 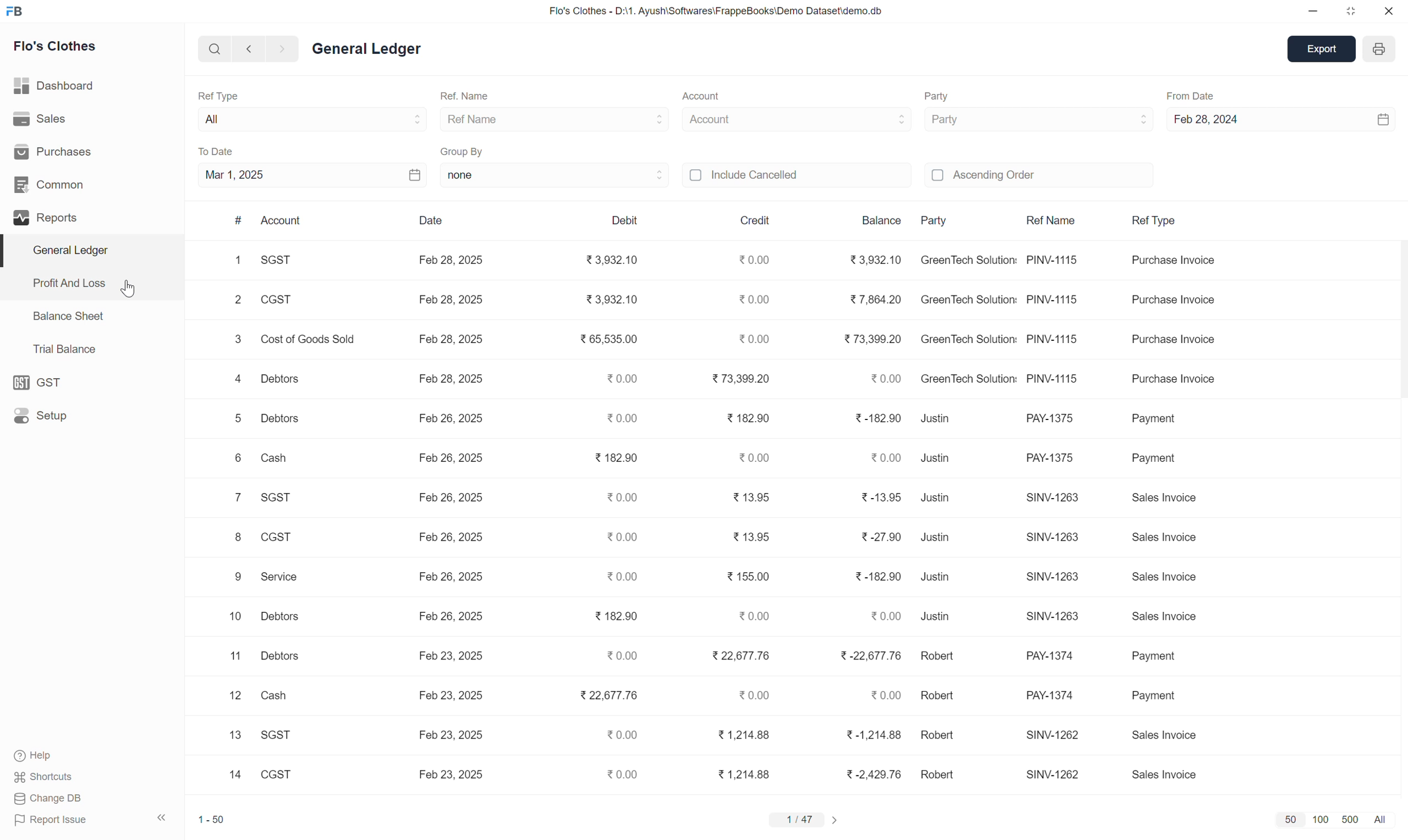 I want to click on PAY-1375, so click(x=1046, y=419).